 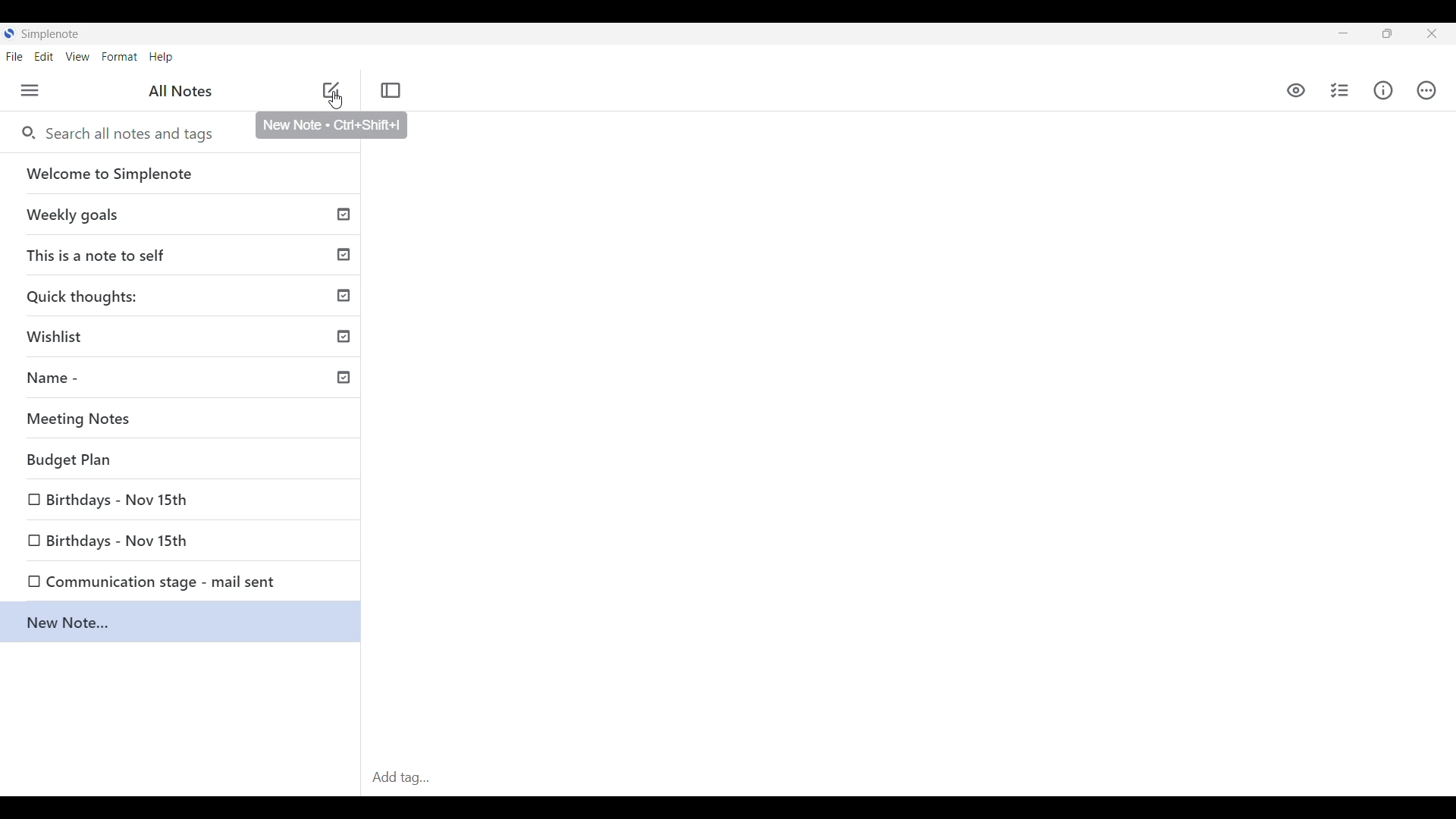 I want to click on All notes, so click(x=180, y=90).